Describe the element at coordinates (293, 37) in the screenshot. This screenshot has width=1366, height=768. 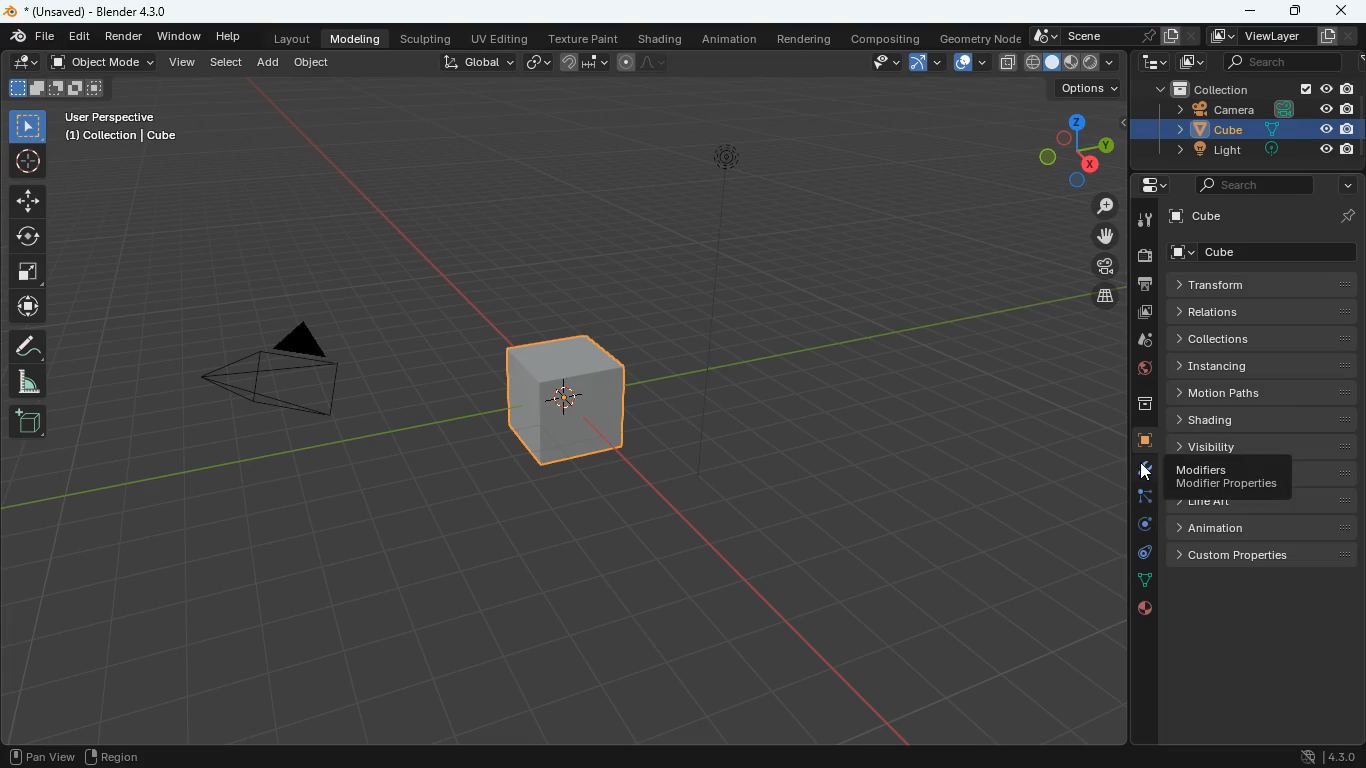
I see `layout` at that location.